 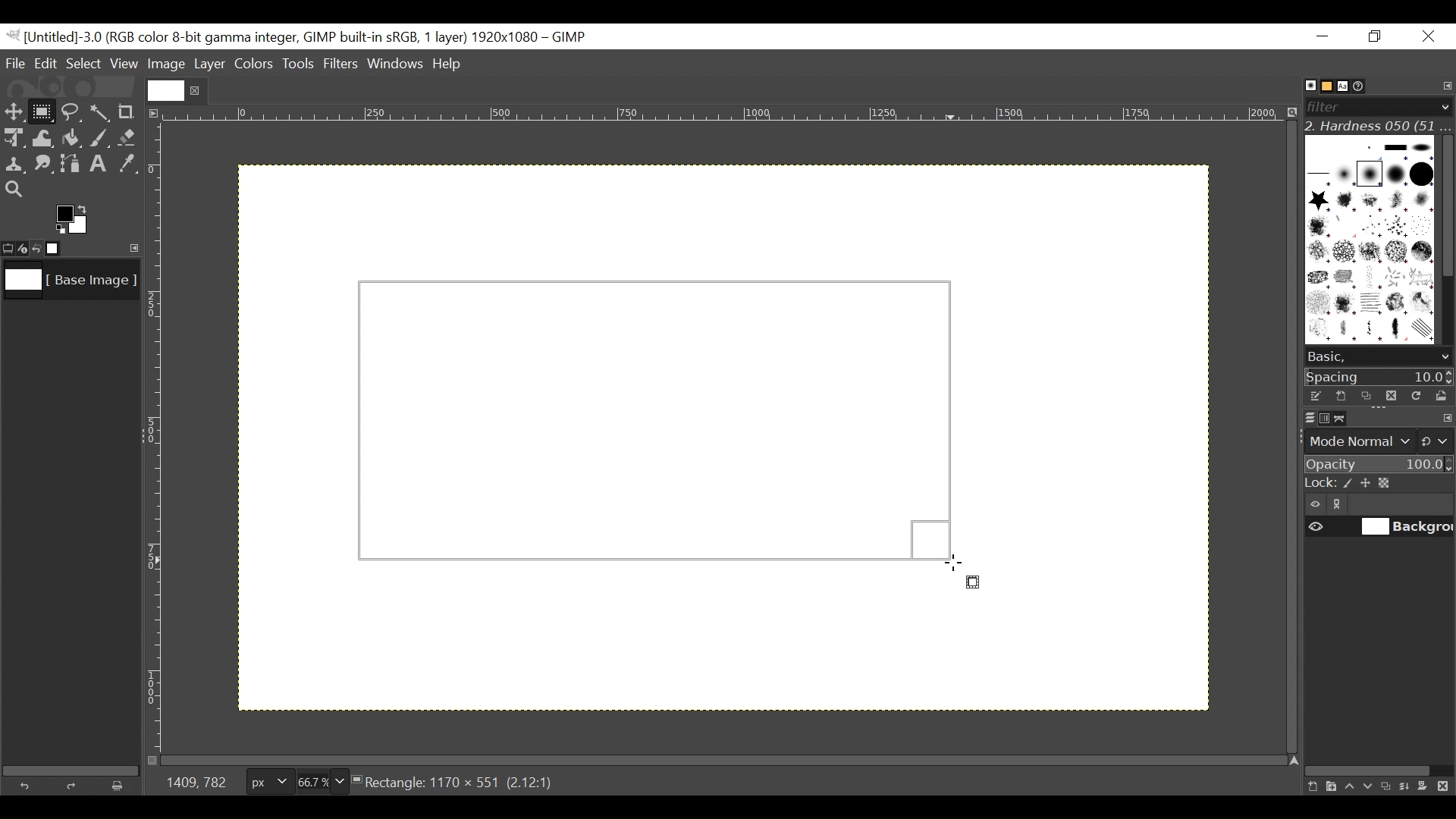 What do you see at coordinates (1364, 85) in the screenshot?
I see `Document History` at bounding box center [1364, 85].